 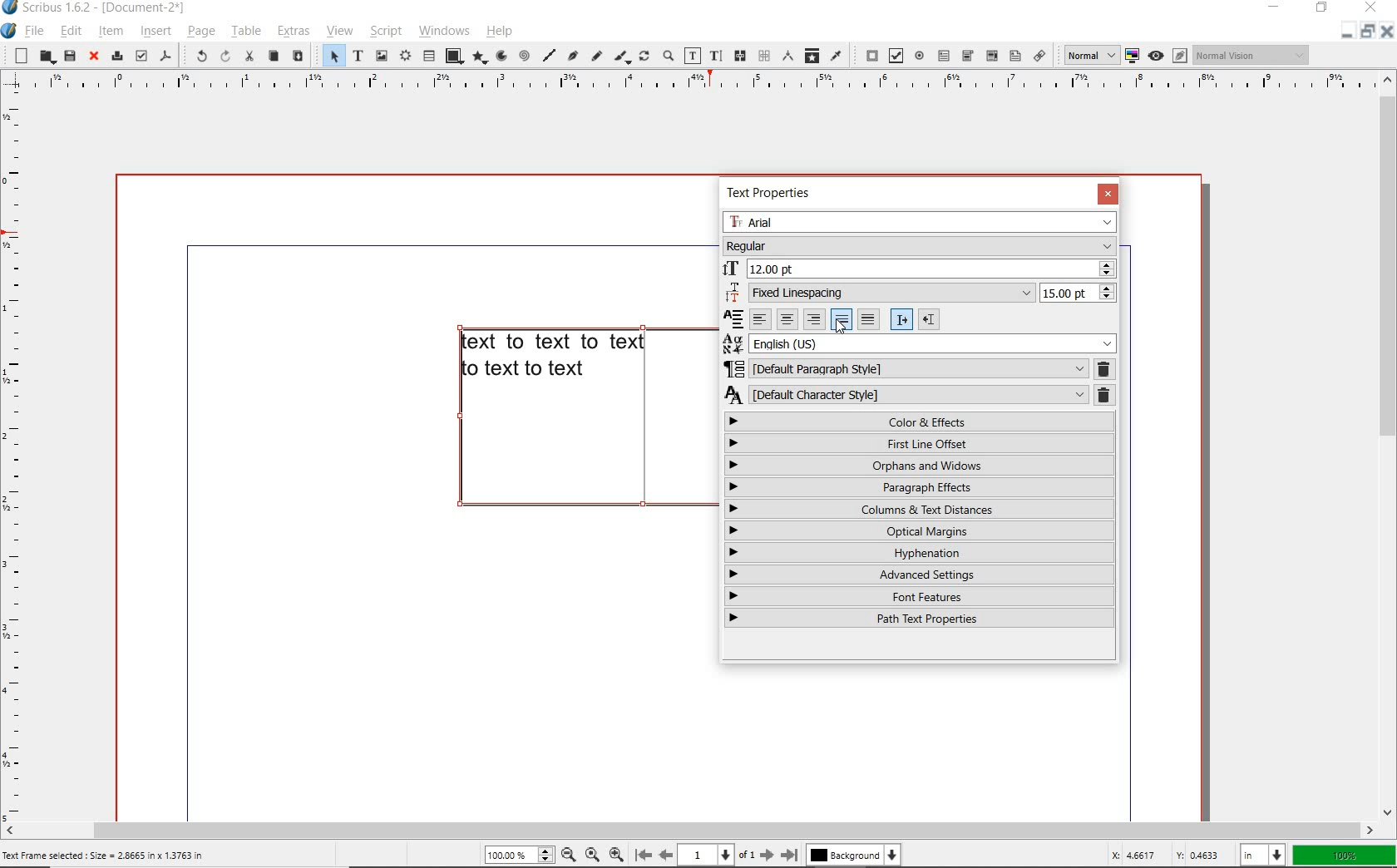 What do you see at coordinates (109, 856) in the screenshot?
I see `Text Frame selected : Size = 2.8665 in x 1.3763 in` at bounding box center [109, 856].